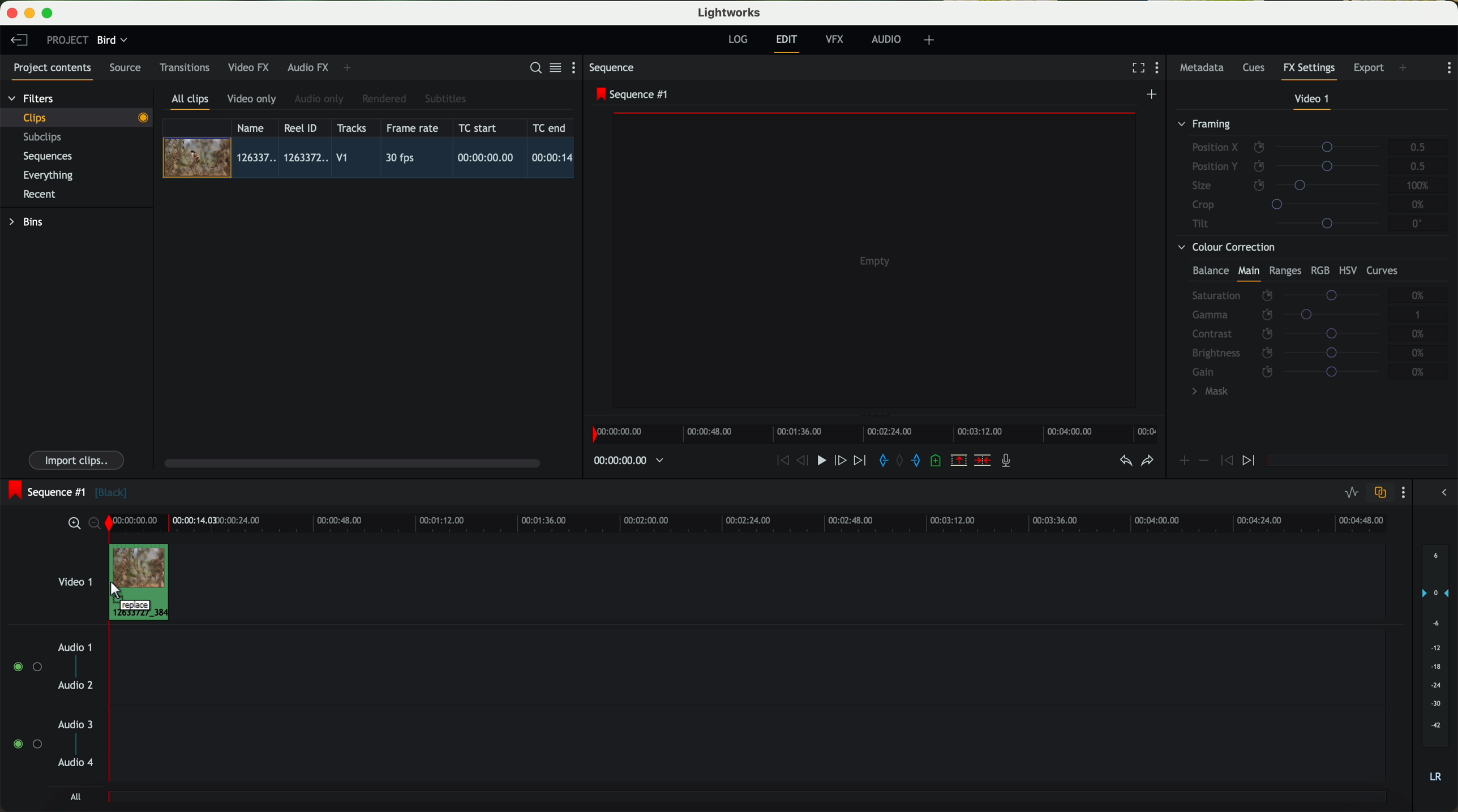  I want to click on scroll bar, so click(351, 462).